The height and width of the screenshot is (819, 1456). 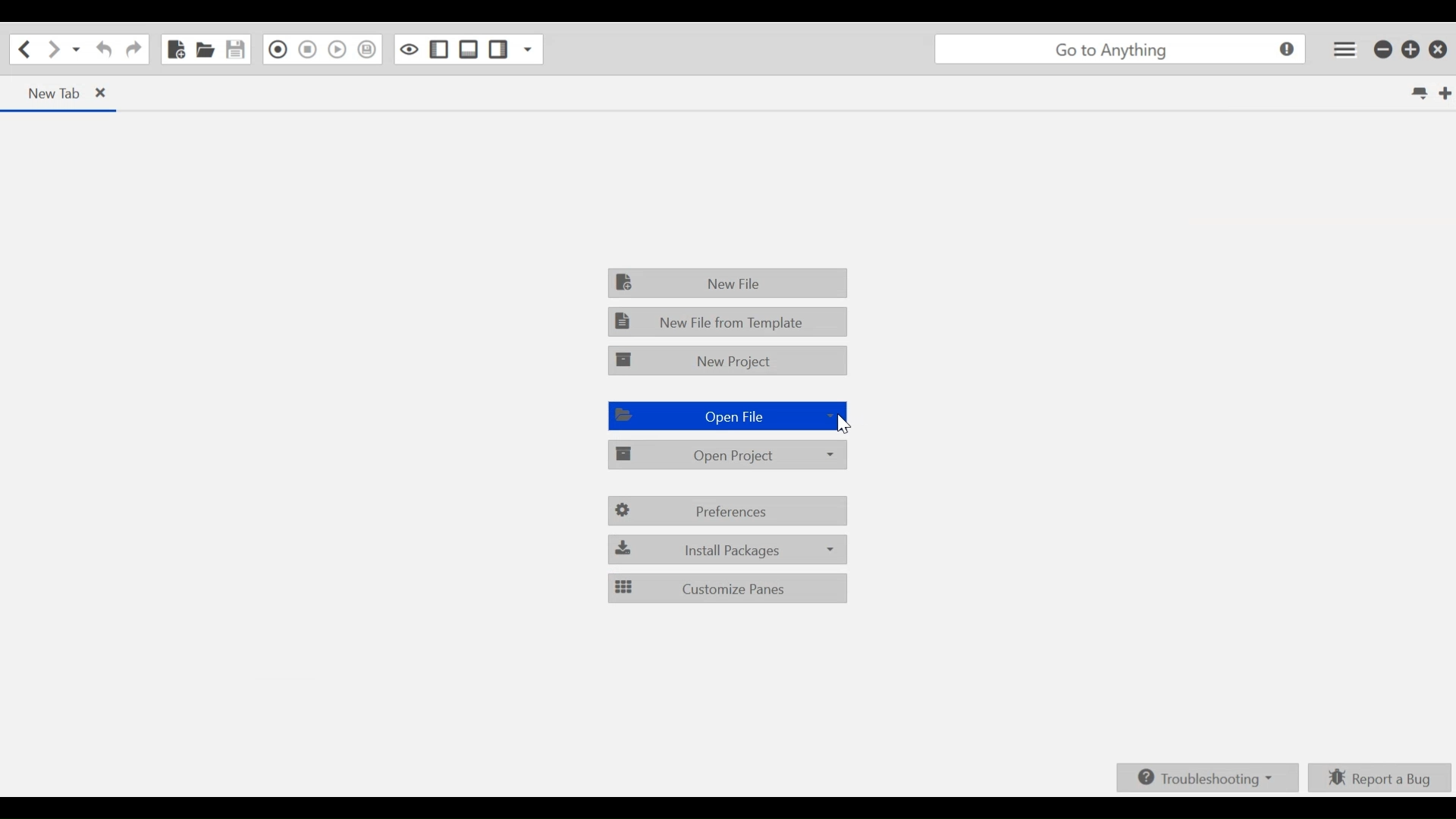 I want to click on restore, so click(x=1408, y=50).